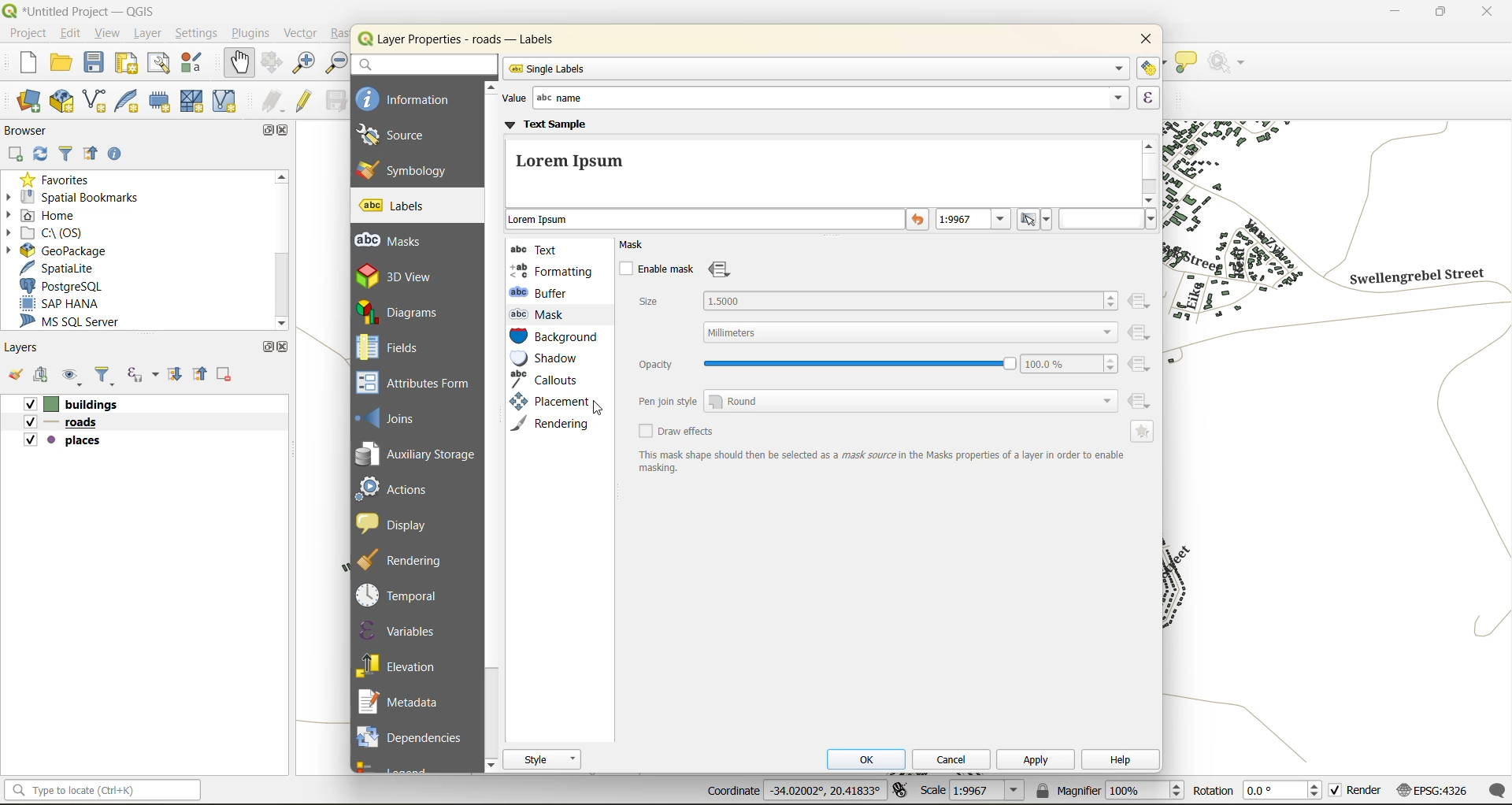  Describe the element at coordinates (399, 523) in the screenshot. I see `display` at that location.